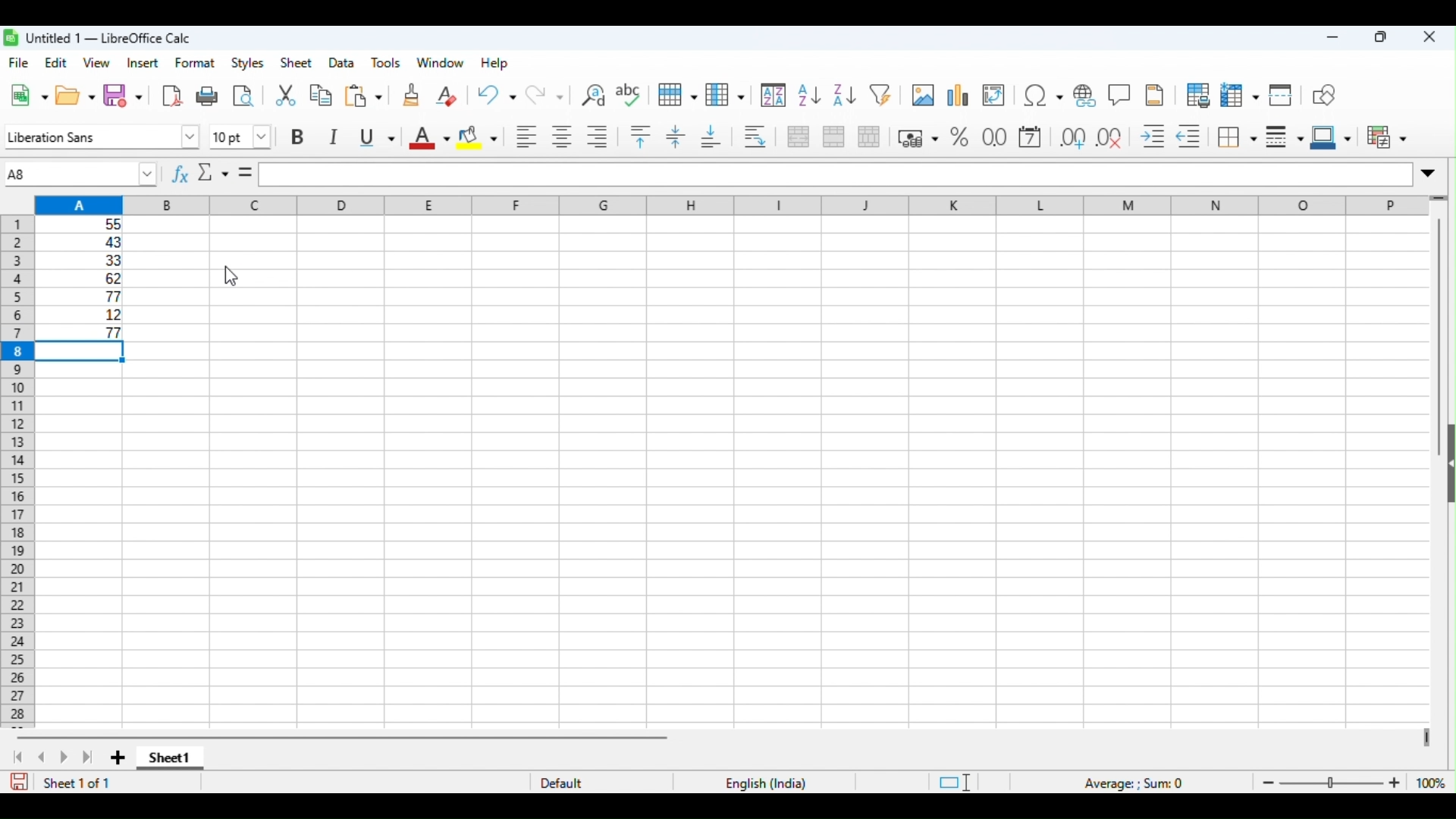 The width and height of the screenshot is (1456, 819). Describe the element at coordinates (1350, 782) in the screenshot. I see `zoom` at that location.